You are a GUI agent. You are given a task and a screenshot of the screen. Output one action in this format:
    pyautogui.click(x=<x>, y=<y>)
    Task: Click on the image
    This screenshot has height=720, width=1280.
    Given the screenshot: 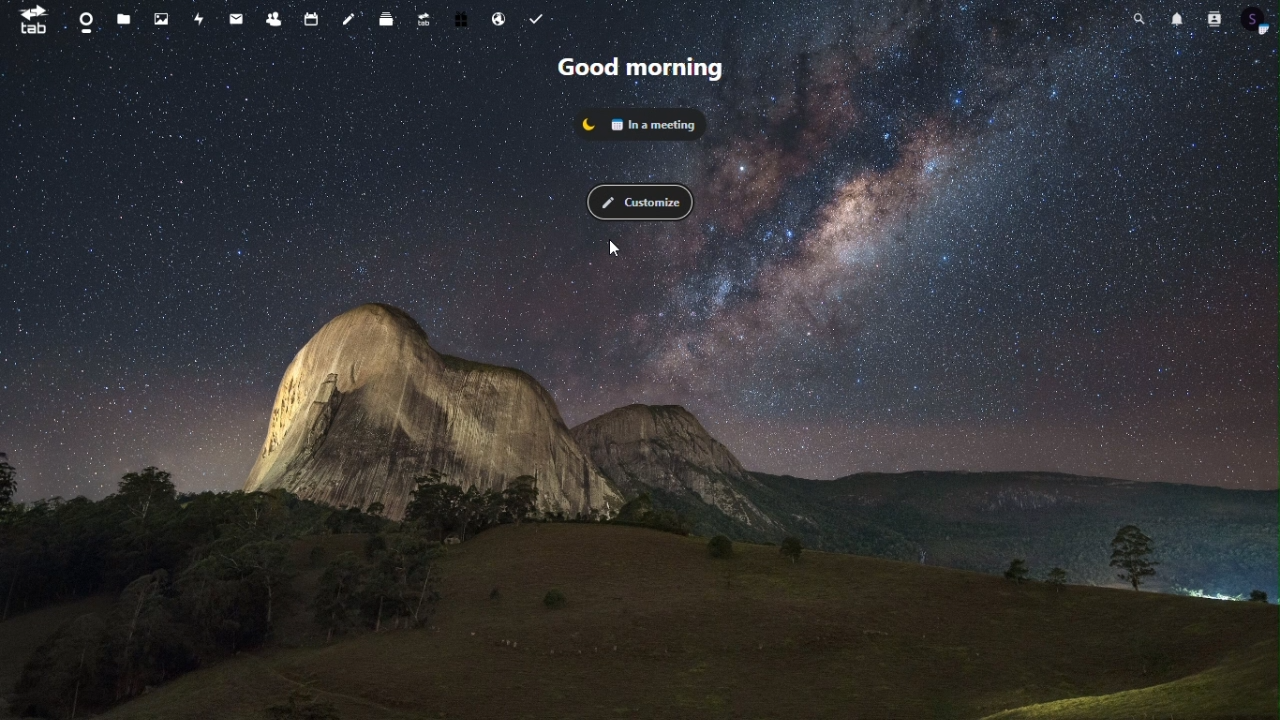 What is the action you would take?
    pyautogui.click(x=166, y=20)
    